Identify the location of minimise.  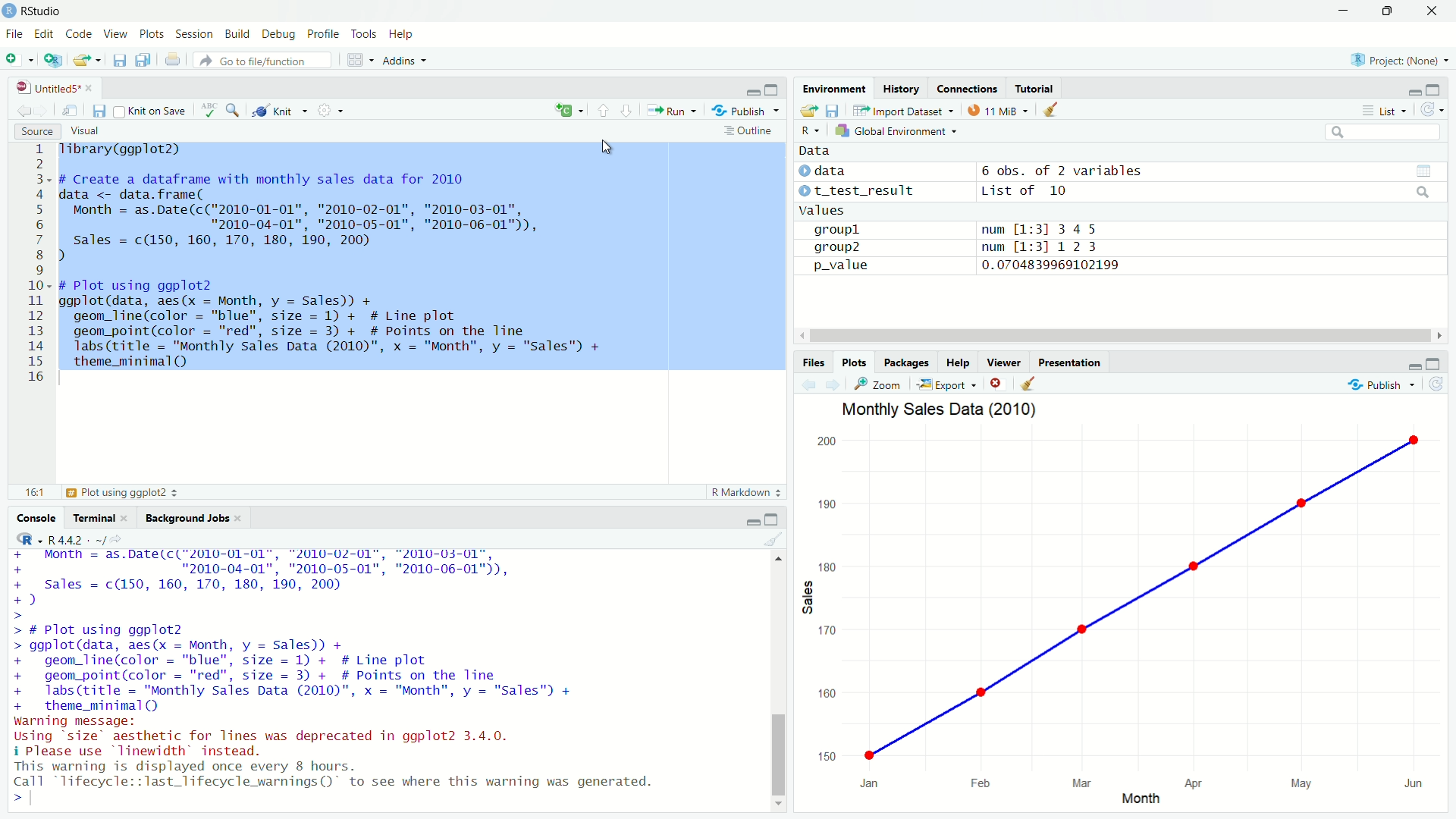
(1436, 363).